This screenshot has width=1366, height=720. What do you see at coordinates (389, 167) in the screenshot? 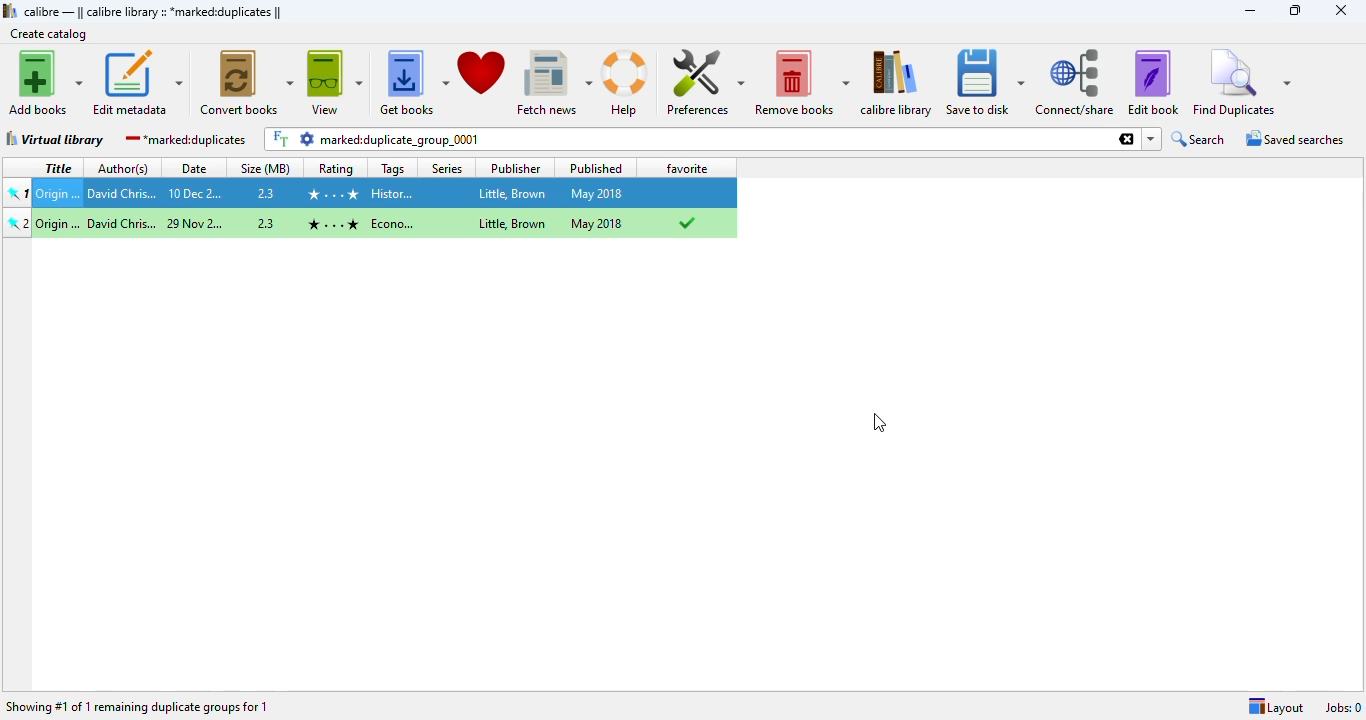
I see `tags` at bounding box center [389, 167].